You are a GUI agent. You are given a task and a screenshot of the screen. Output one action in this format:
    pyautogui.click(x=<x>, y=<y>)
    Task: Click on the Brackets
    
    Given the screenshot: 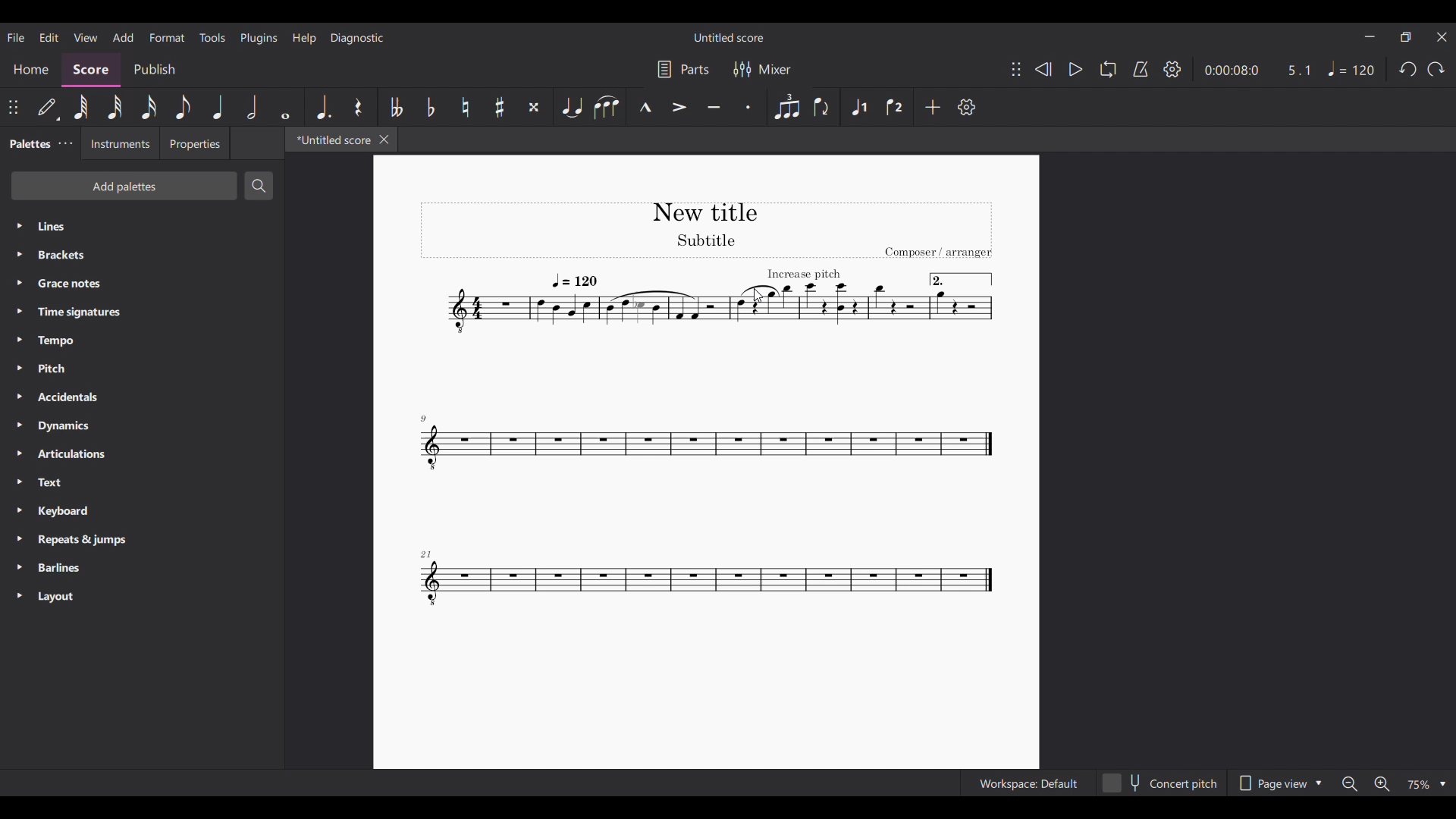 What is the action you would take?
    pyautogui.click(x=143, y=255)
    